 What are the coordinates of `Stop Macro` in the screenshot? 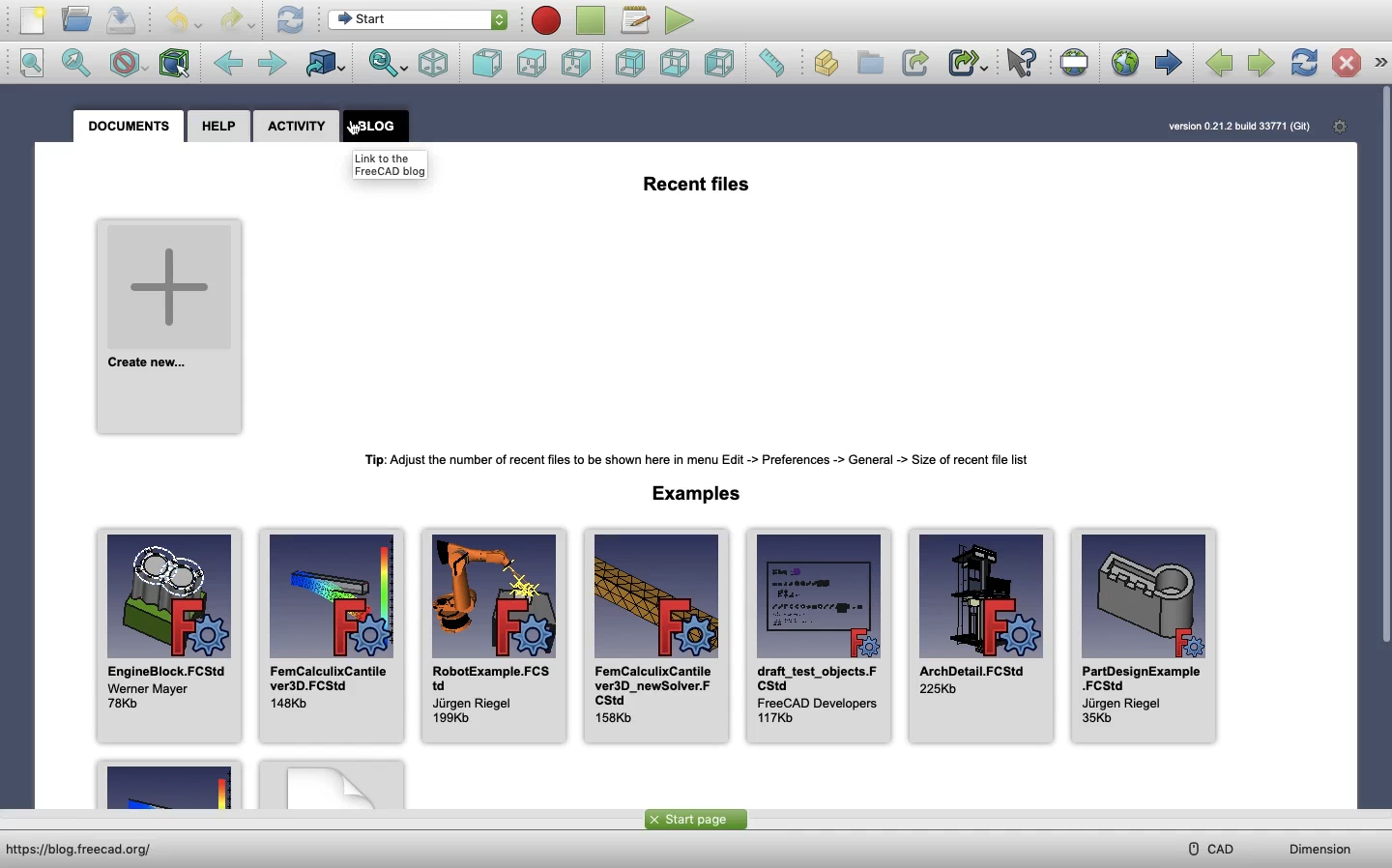 It's located at (591, 20).